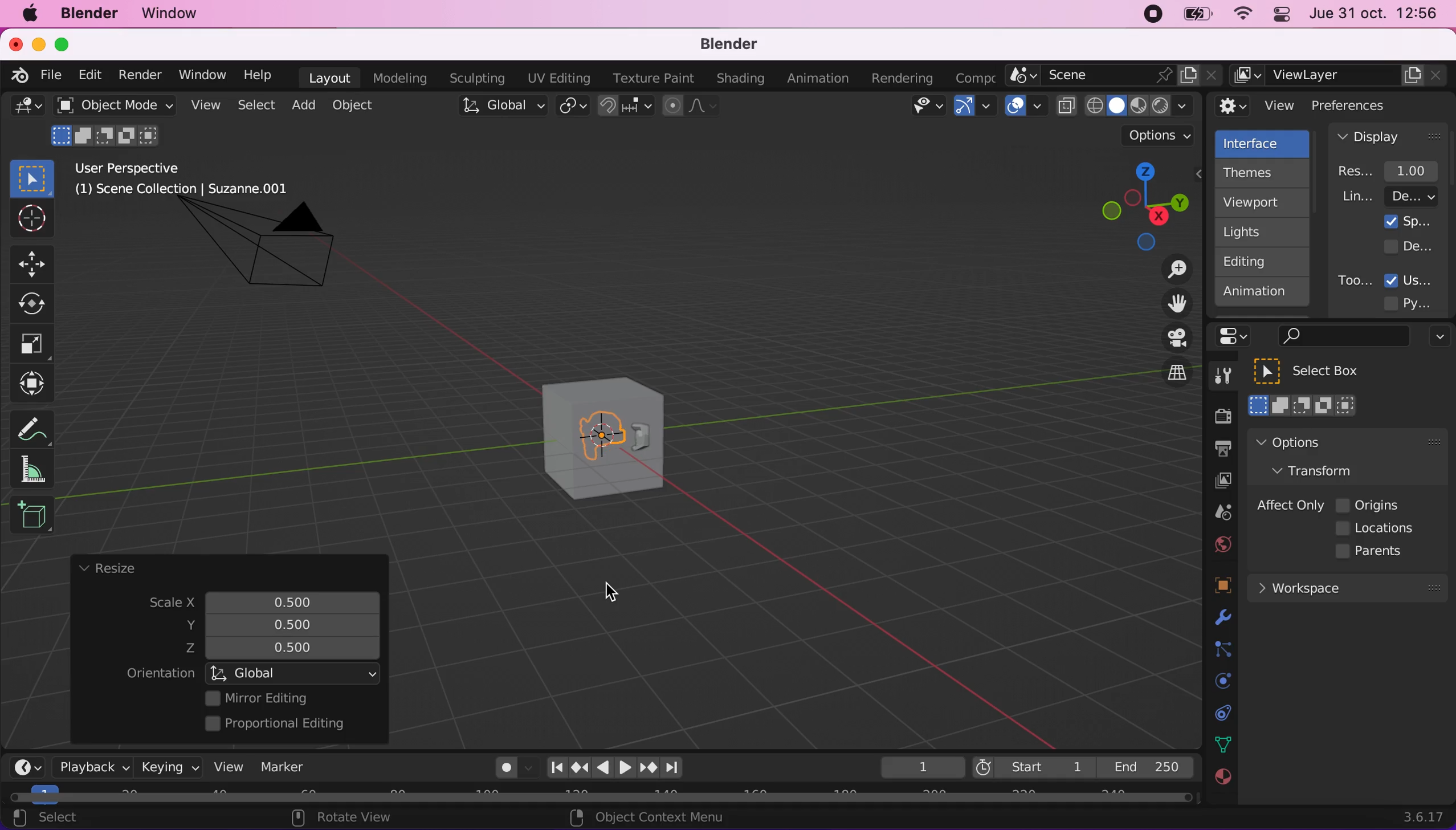 This screenshot has width=1456, height=830. What do you see at coordinates (168, 767) in the screenshot?
I see `keying` at bounding box center [168, 767].